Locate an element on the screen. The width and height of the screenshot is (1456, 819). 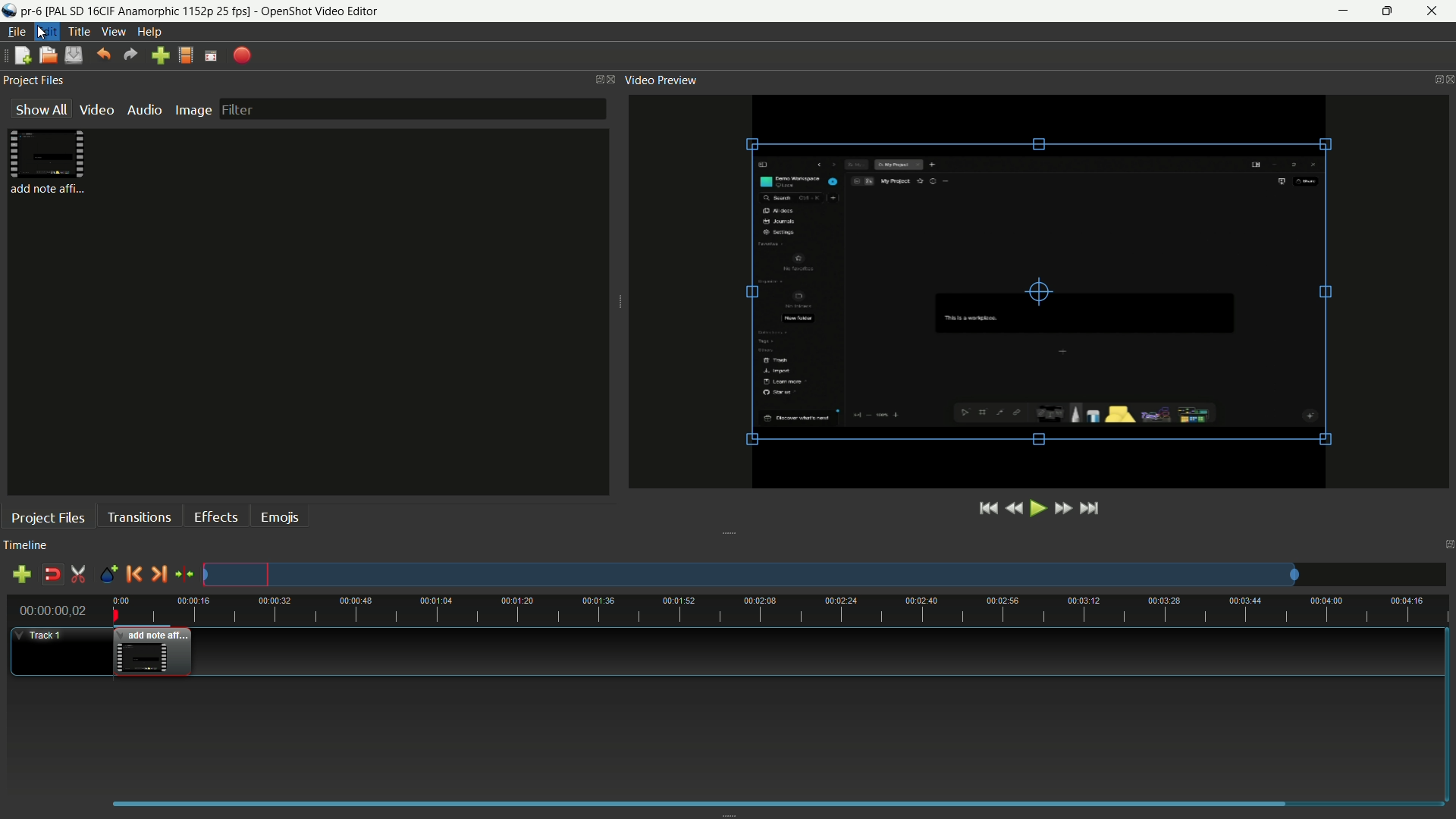
profile is located at coordinates (149, 11).